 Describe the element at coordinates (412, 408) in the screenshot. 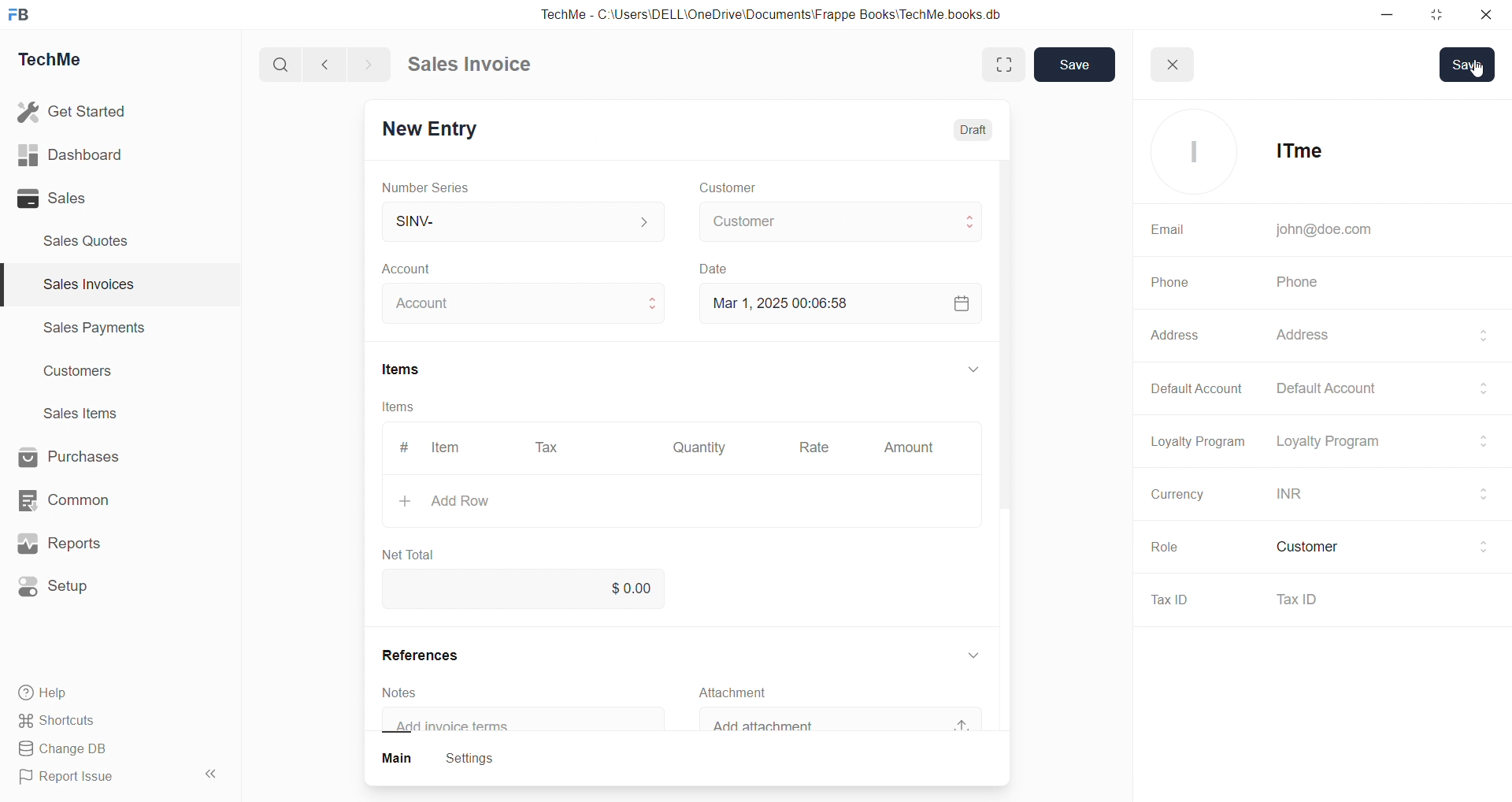

I see `Items` at that location.